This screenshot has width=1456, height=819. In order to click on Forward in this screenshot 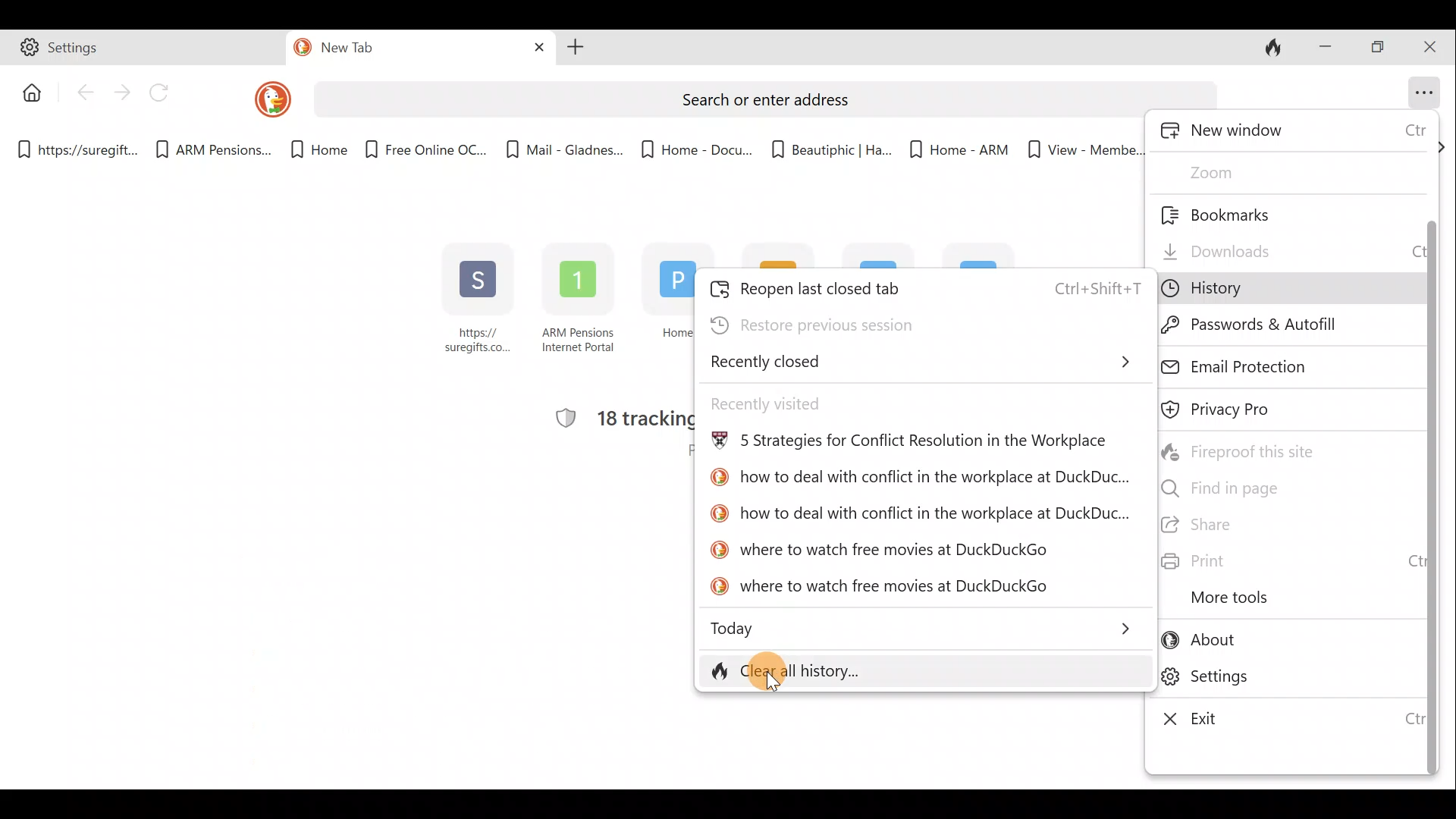, I will do `click(122, 92)`.